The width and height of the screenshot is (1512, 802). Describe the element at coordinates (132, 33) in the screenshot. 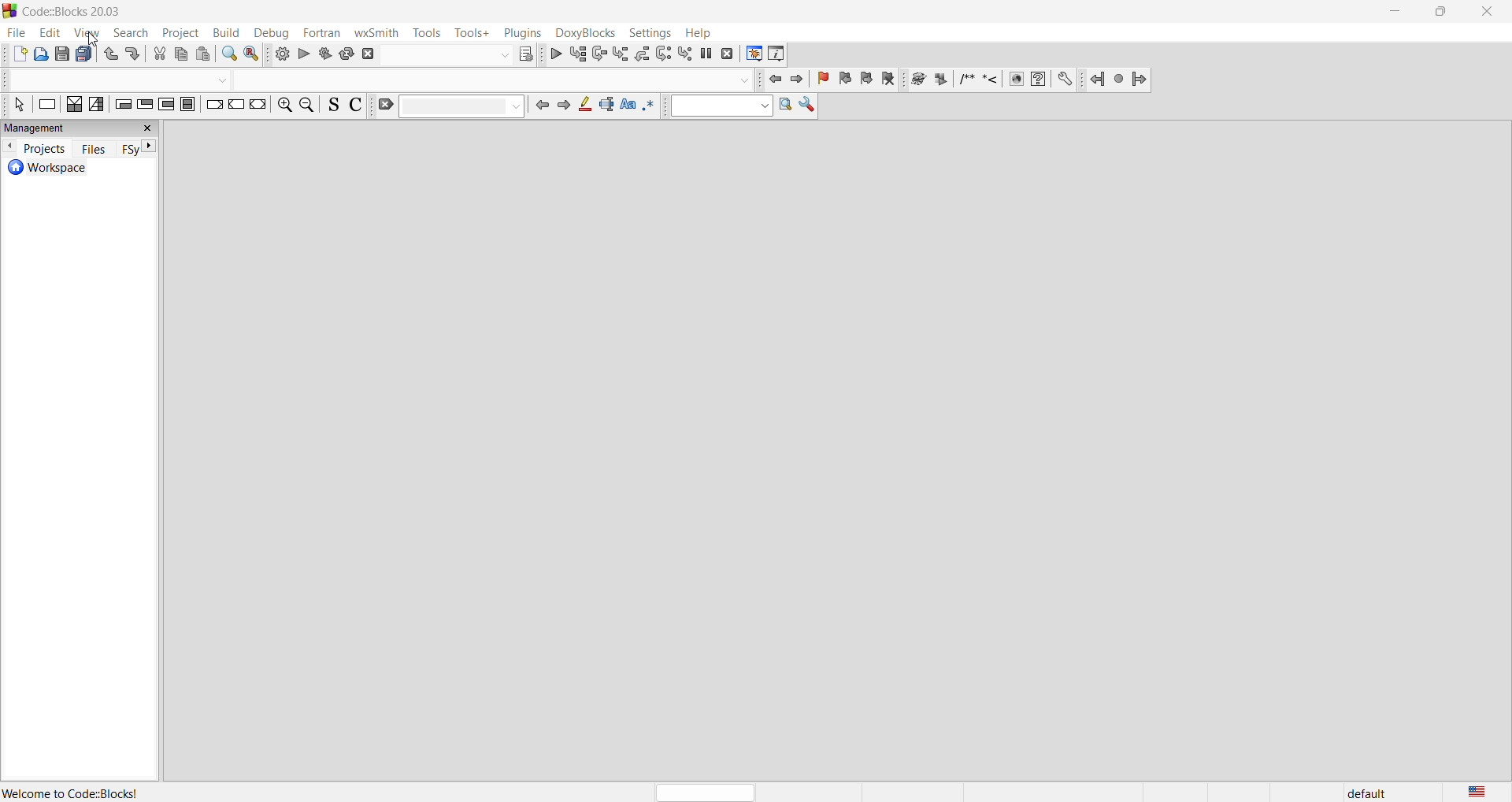

I see `search` at that location.